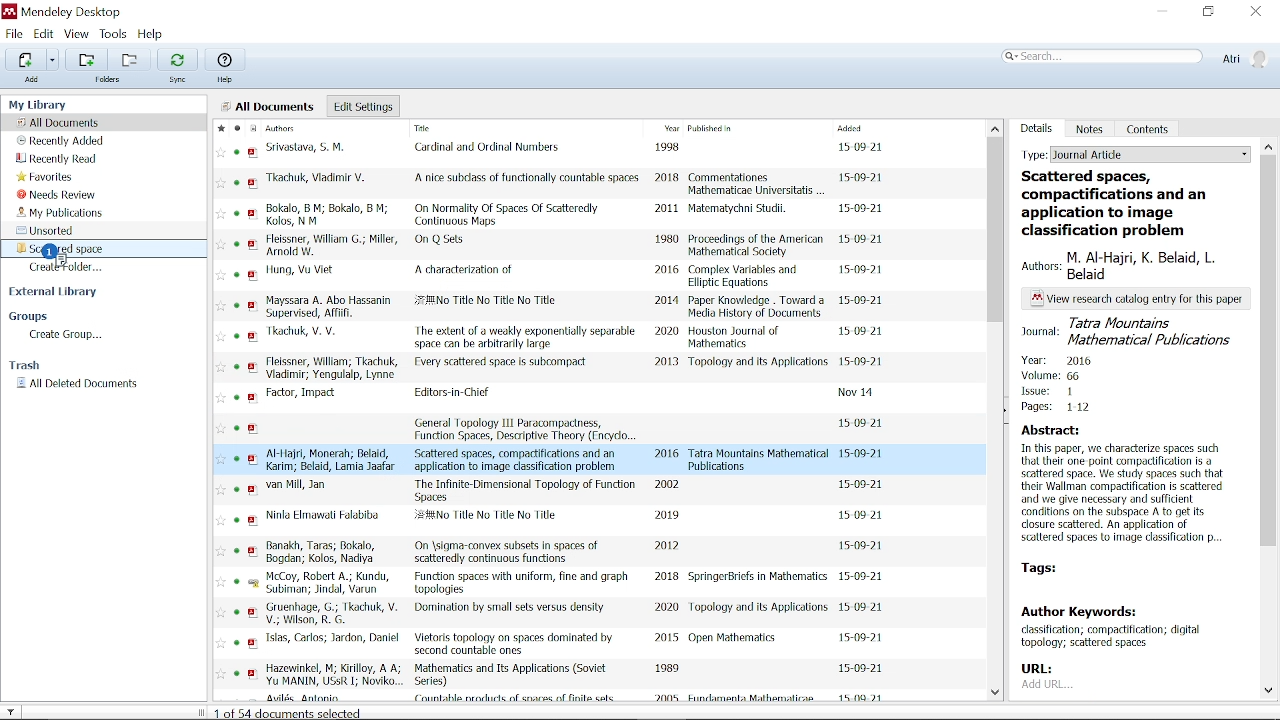  Describe the element at coordinates (1038, 130) in the screenshot. I see `` at that location.